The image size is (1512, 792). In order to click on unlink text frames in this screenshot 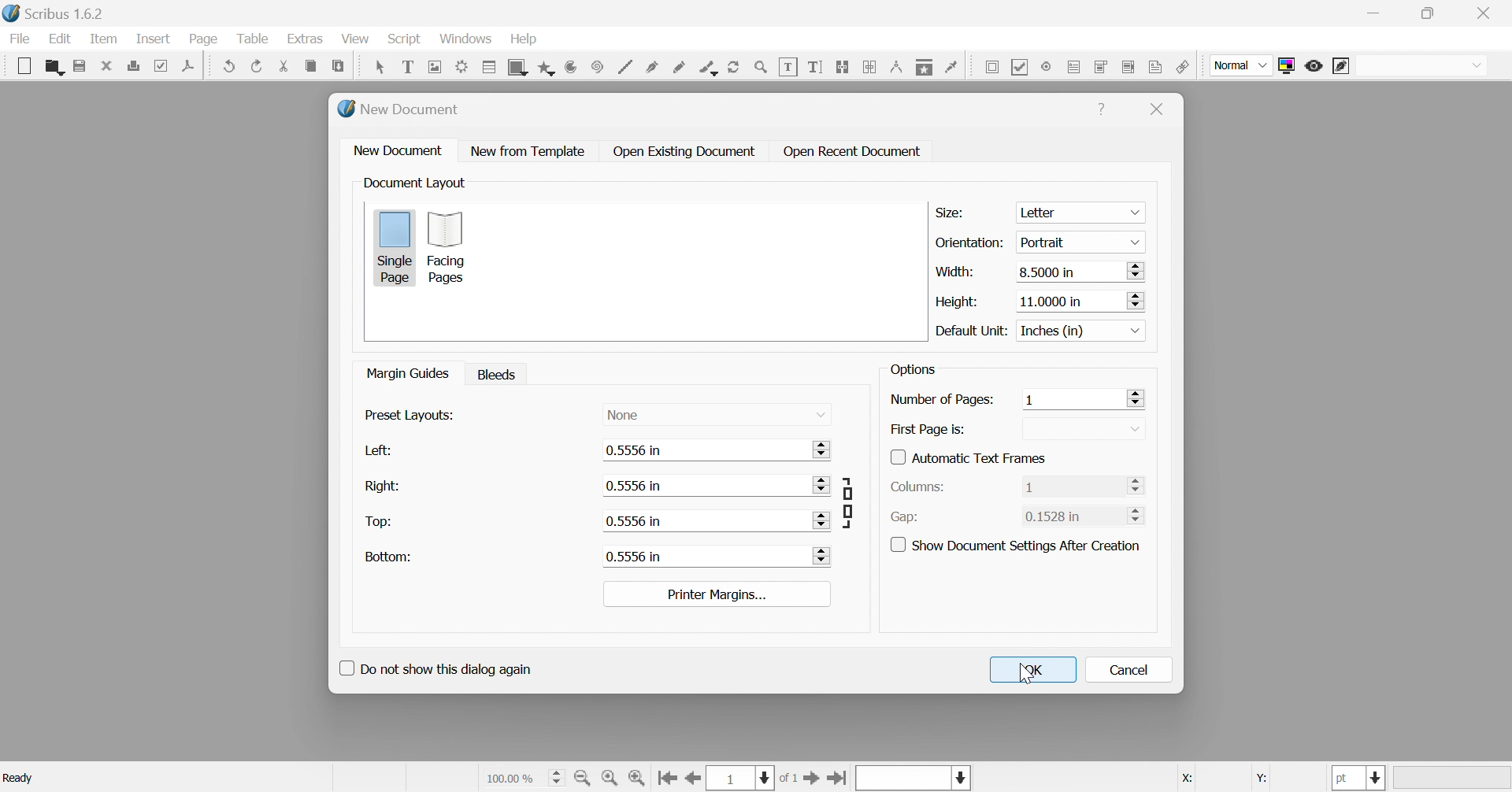, I will do `click(869, 66)`.